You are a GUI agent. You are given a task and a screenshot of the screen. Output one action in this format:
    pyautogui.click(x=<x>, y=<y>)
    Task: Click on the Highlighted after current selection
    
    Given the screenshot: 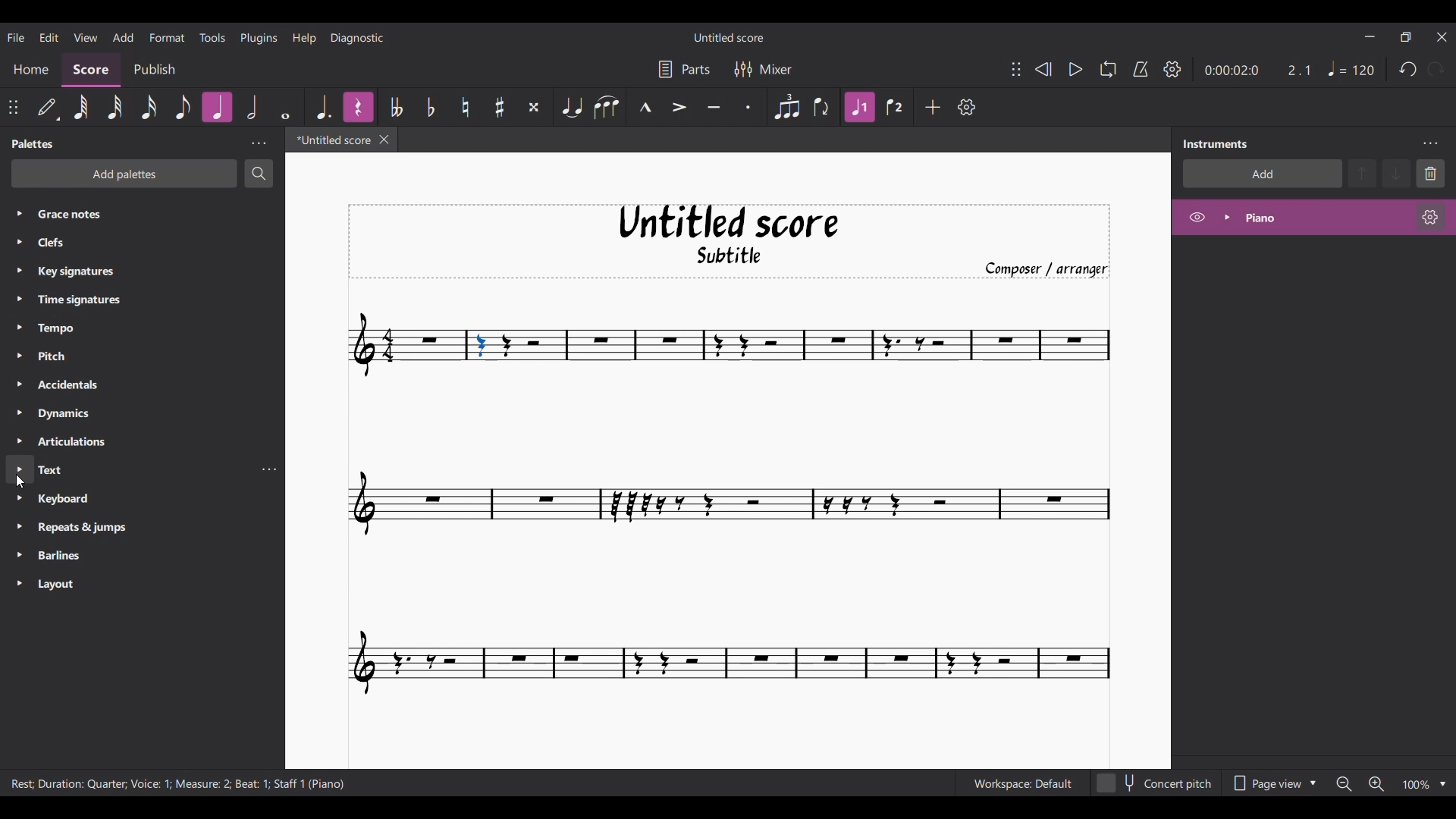 What is the action you would take?
    pyautogui.click(x=860, y=107)
    